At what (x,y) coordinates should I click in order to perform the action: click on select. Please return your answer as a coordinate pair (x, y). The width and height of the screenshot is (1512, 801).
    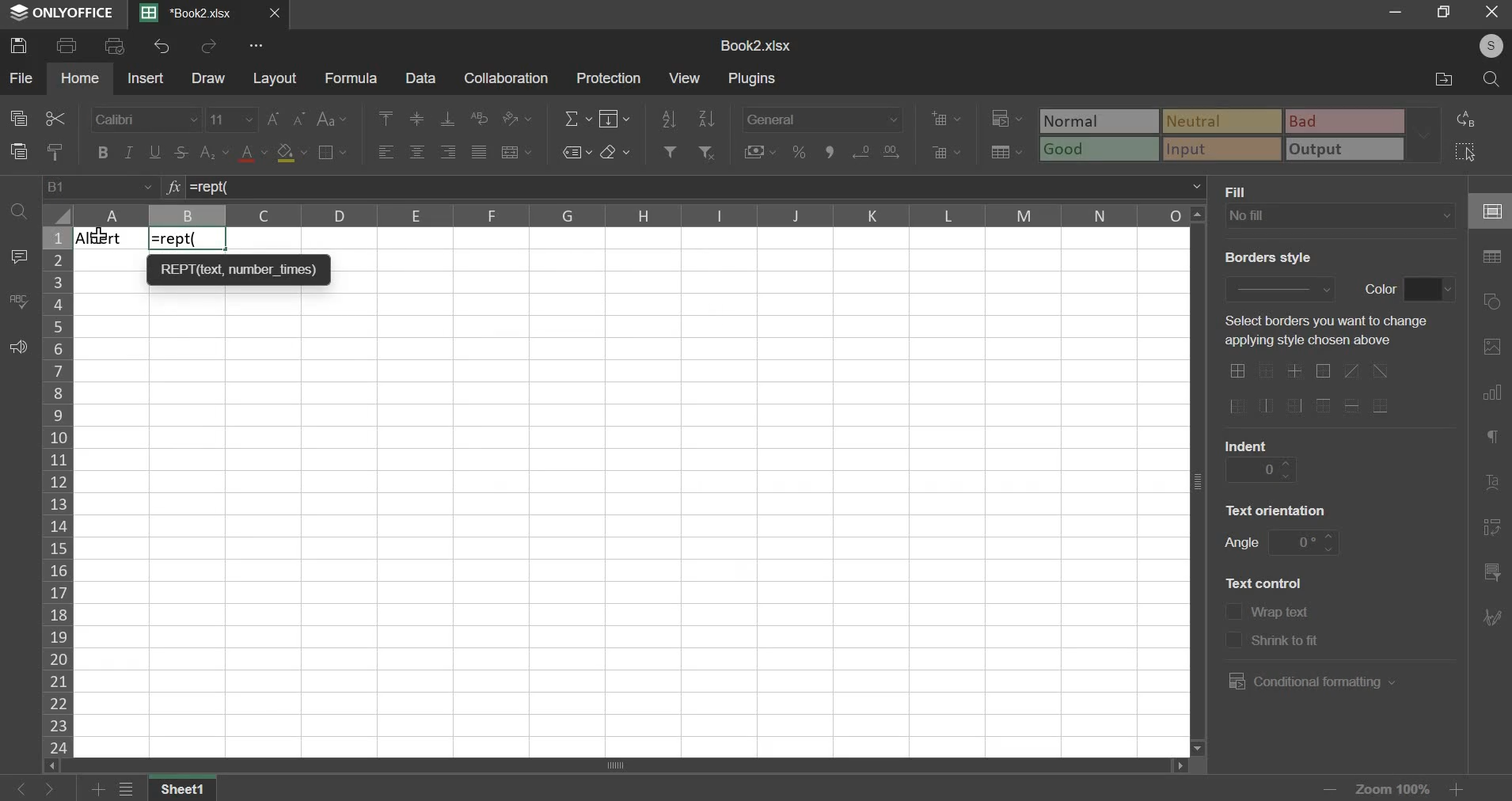
    Looking at the image, I should click on (1464, 152).